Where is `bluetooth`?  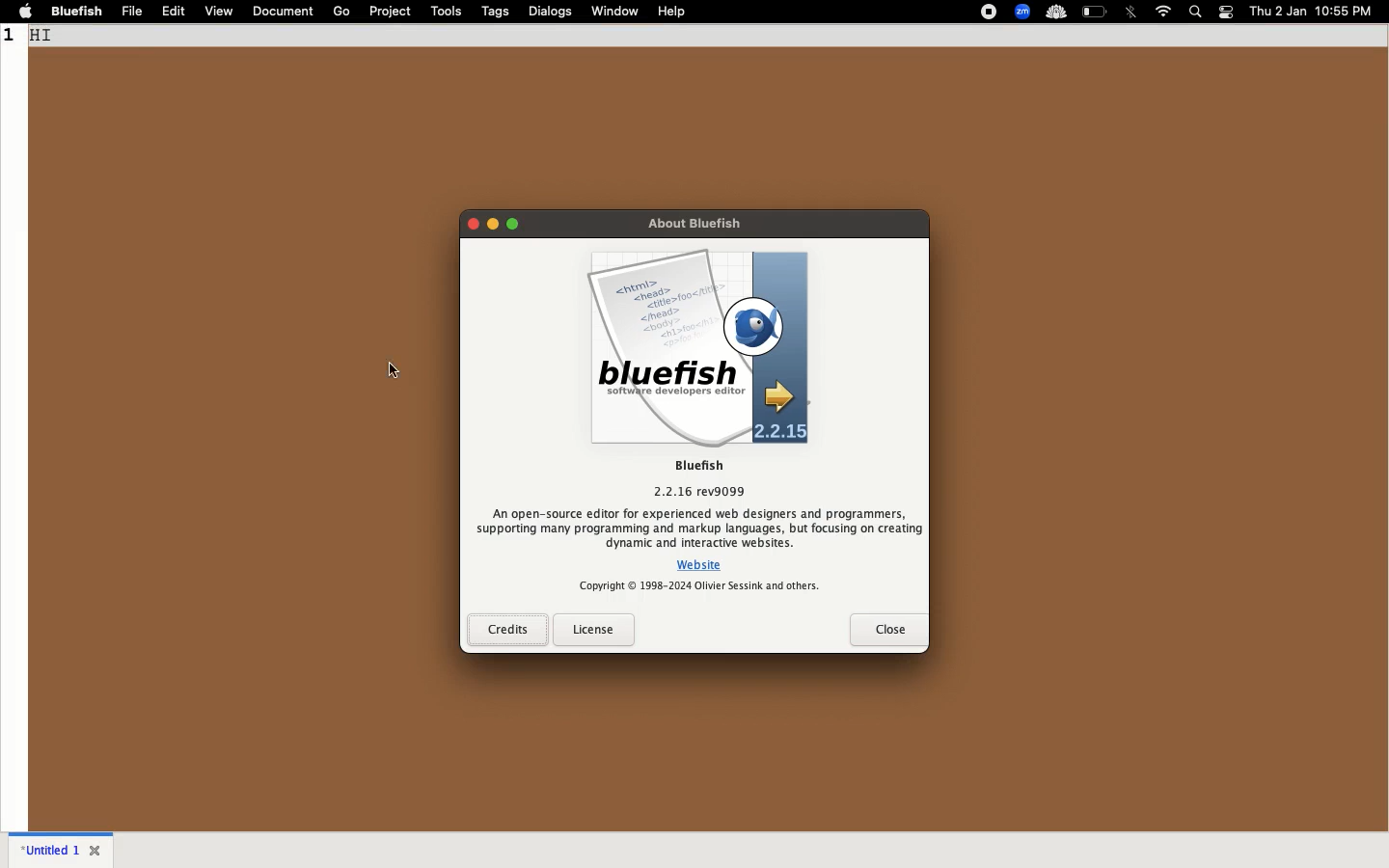 bluetooth is located at coordinates (1132, 12).